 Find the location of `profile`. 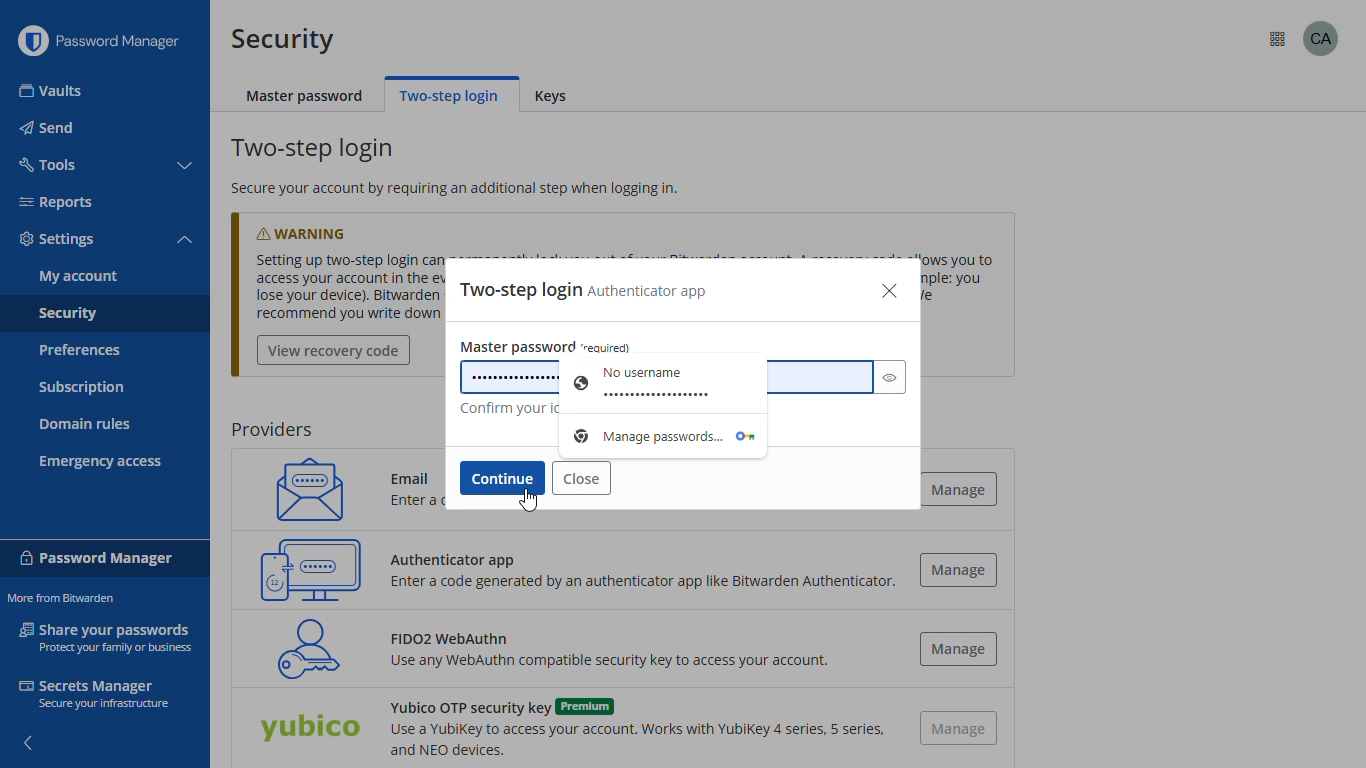

profile is located at coordinates (1321, 38).